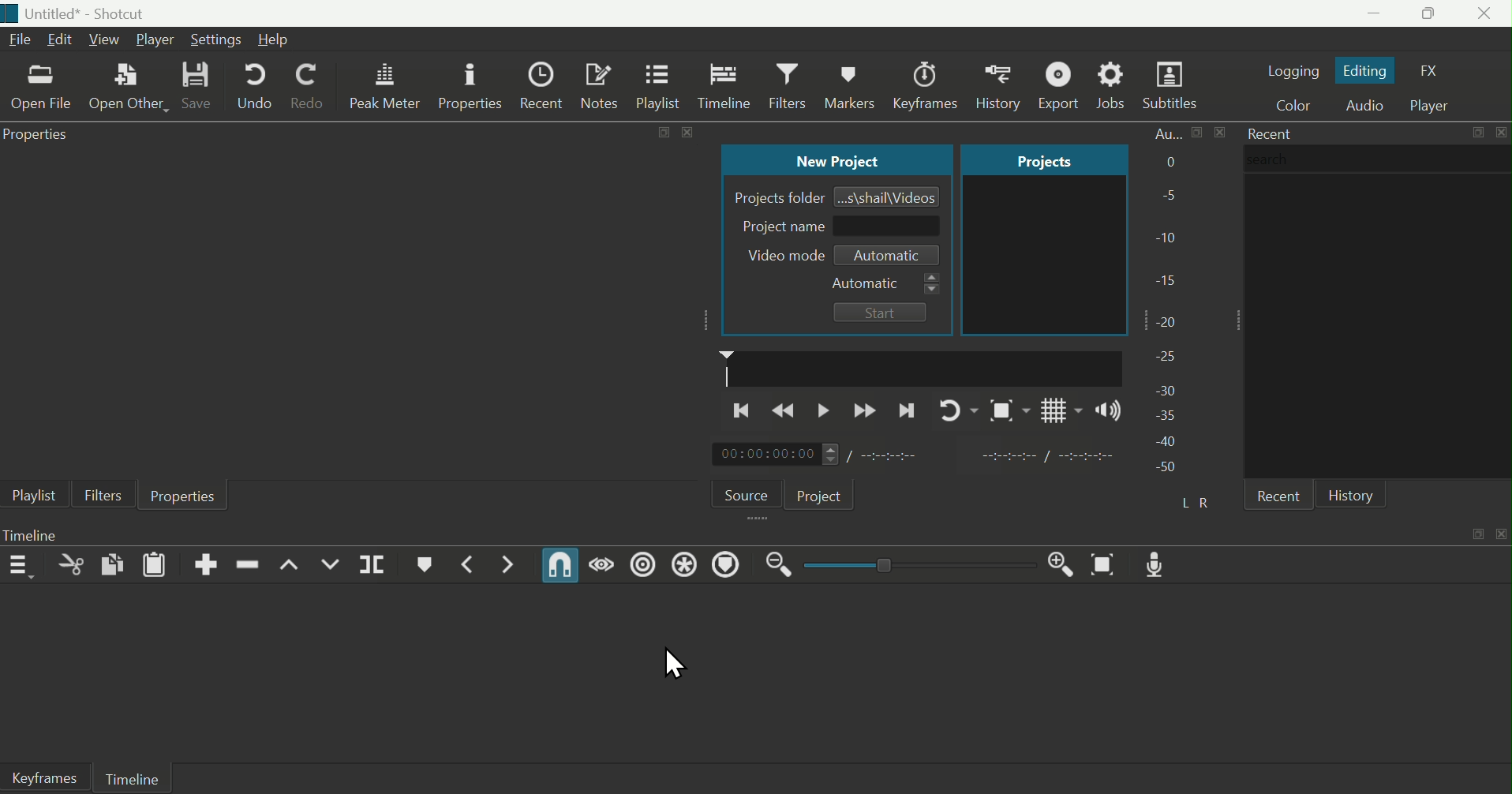  I want to click on Create/Edit Marker, so click(426, 564).